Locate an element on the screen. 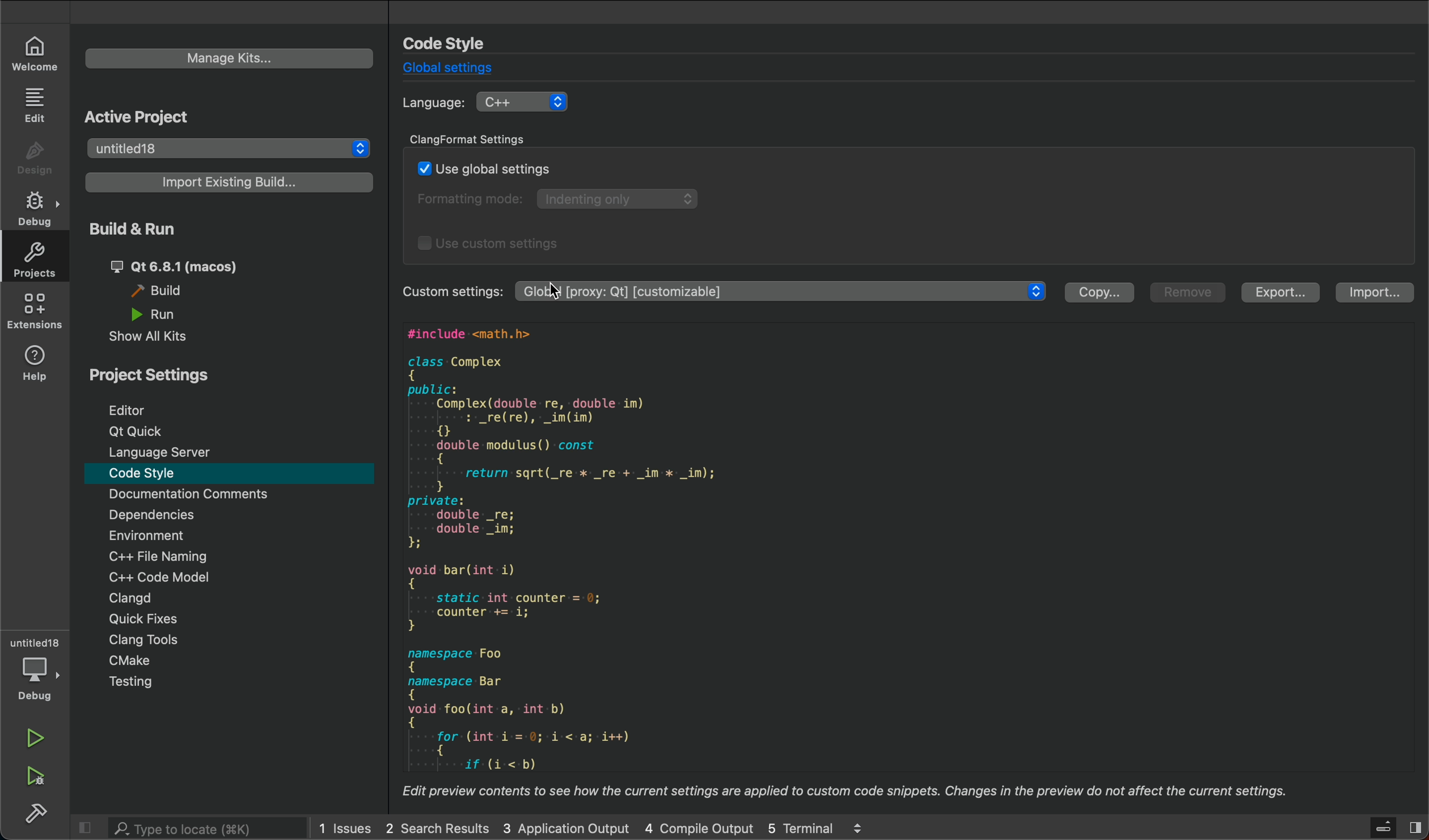 This screenshot has height=840, width=1429. Project setting  is located at coordinates (154, 375).